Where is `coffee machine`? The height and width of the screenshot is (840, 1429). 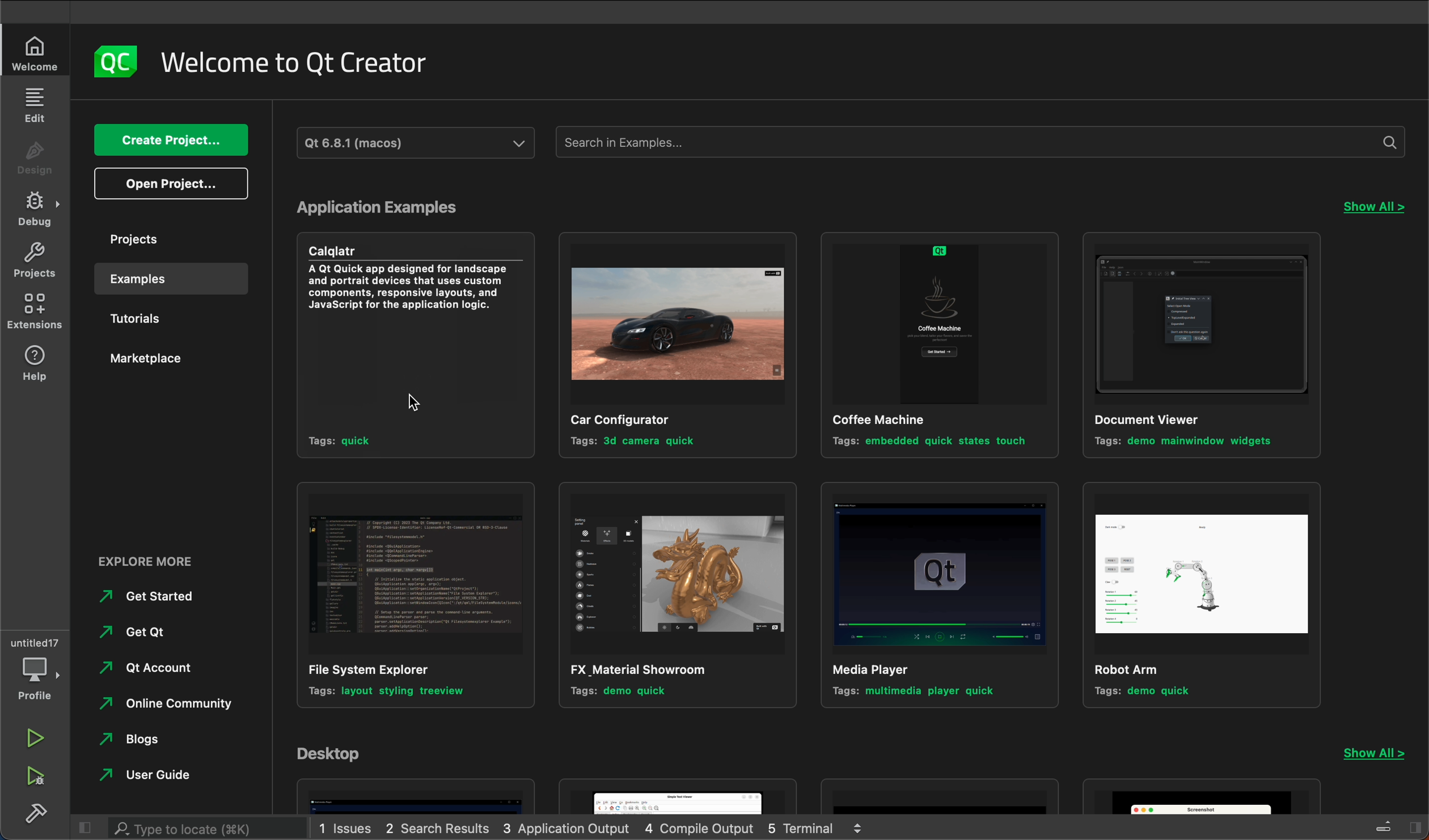 coffee machine is located at coordinates (935, 346).